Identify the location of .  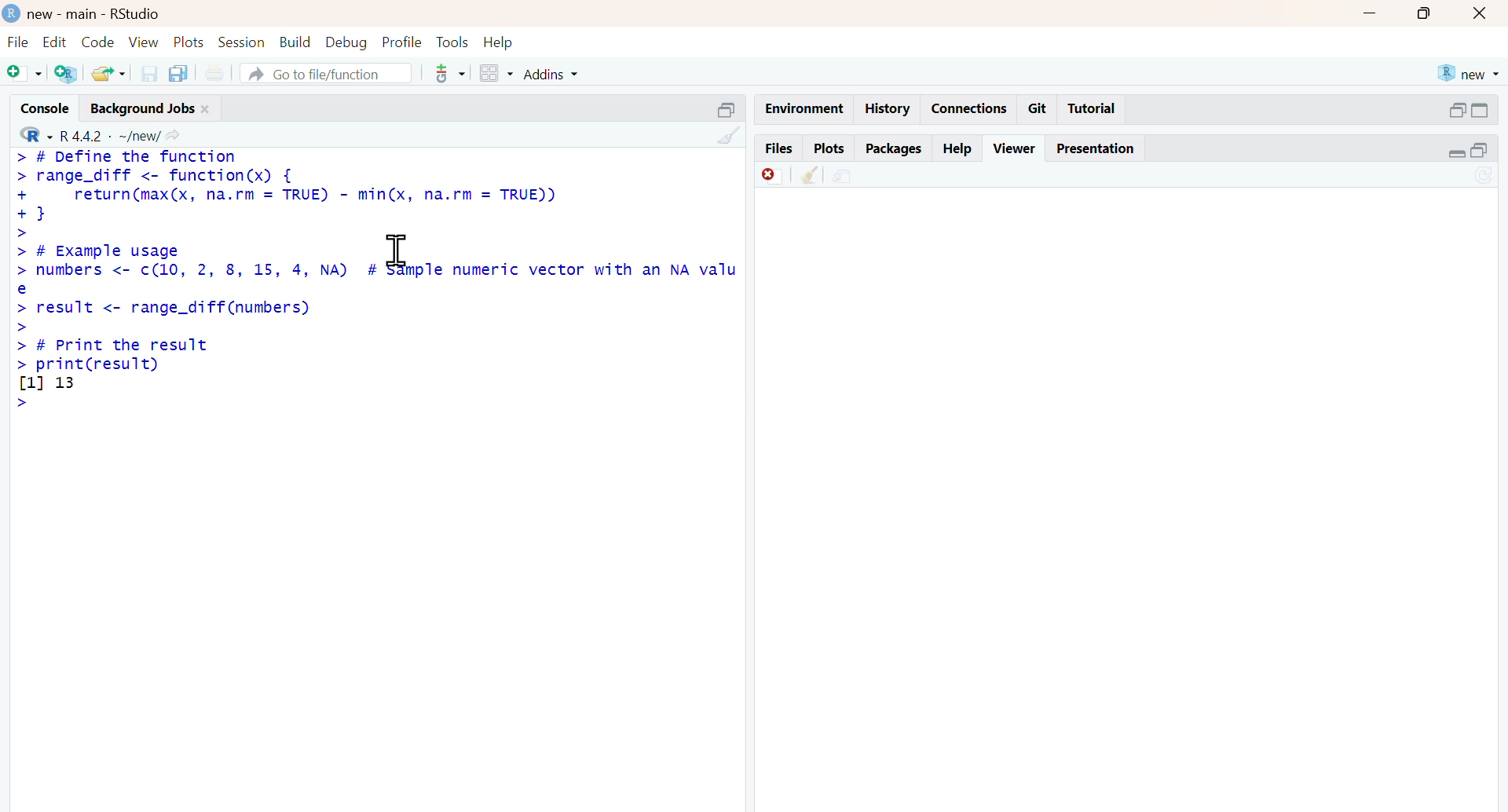
(729, 135).